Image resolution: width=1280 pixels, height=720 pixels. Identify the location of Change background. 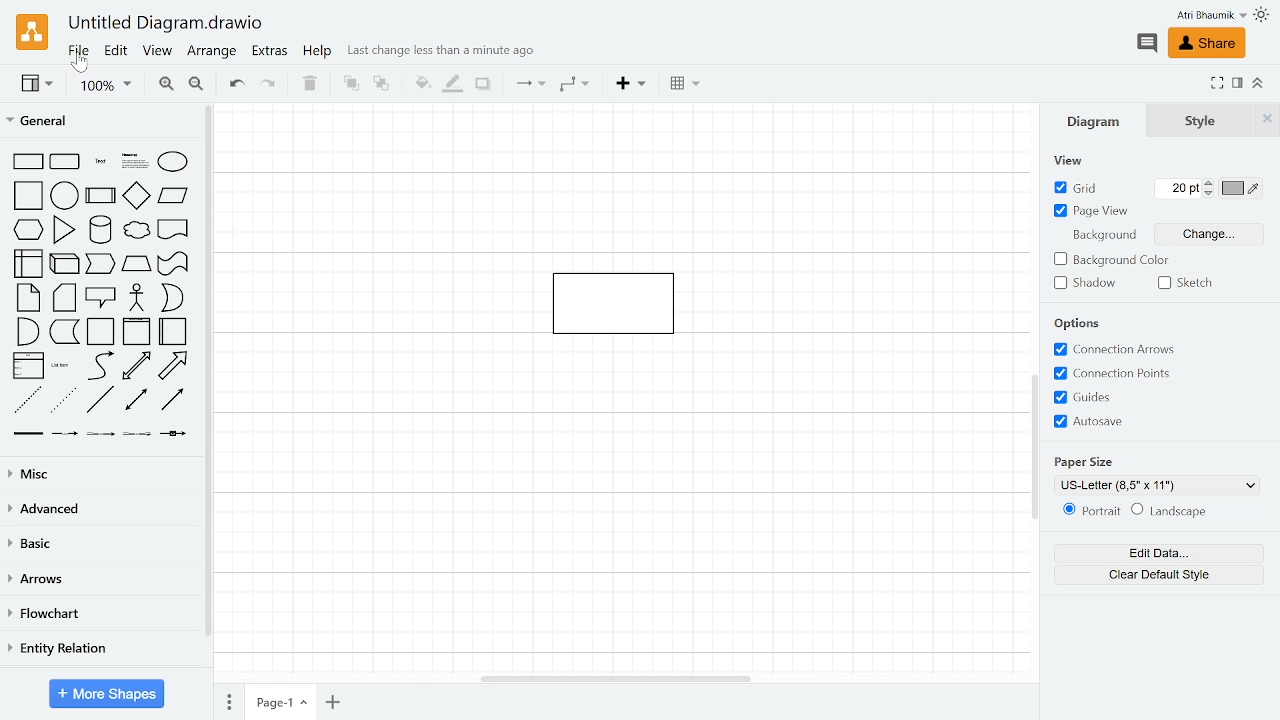
(1208, 234).